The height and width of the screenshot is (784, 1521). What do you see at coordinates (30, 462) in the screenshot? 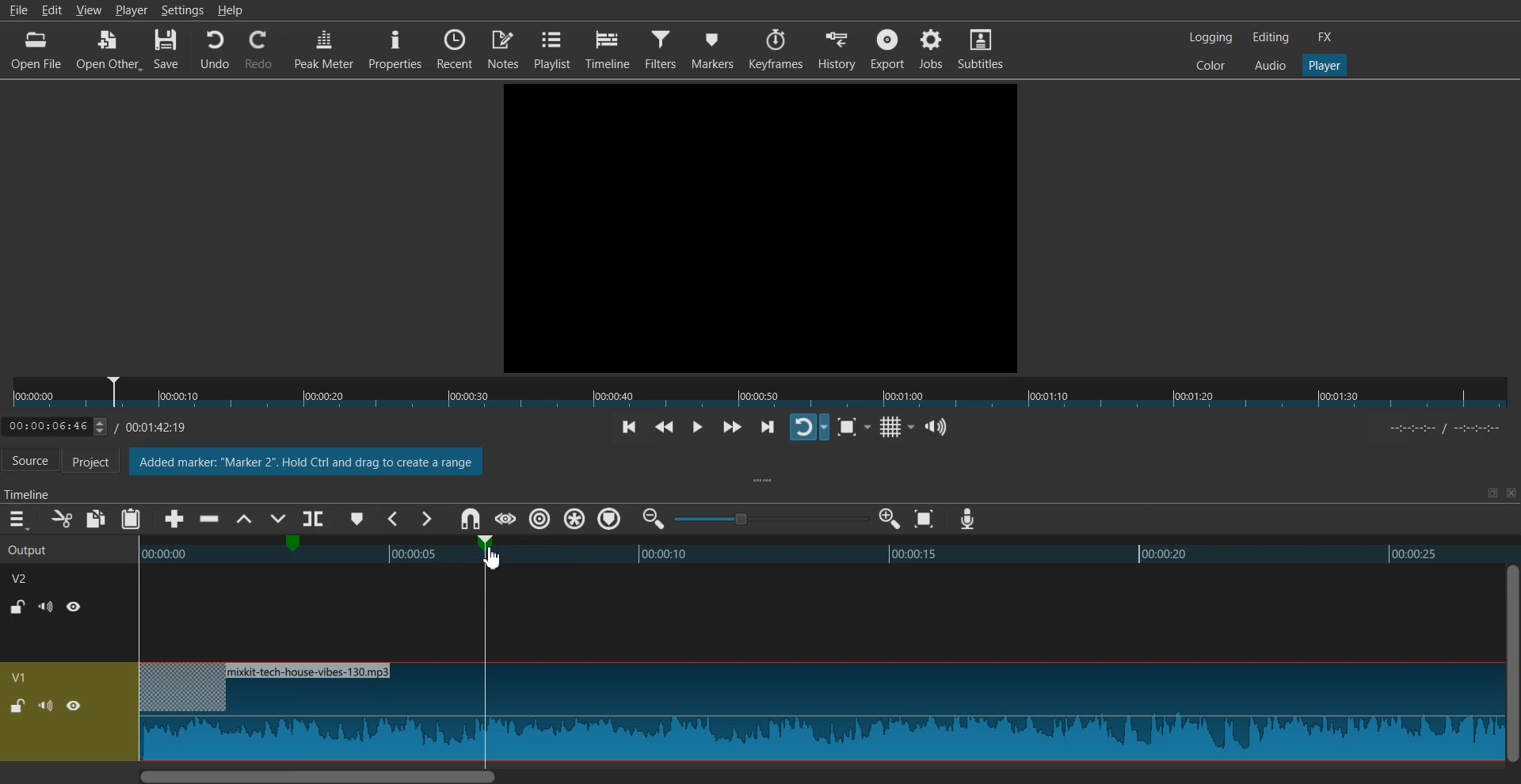
I see `Source` at bounding box center [30, 462].